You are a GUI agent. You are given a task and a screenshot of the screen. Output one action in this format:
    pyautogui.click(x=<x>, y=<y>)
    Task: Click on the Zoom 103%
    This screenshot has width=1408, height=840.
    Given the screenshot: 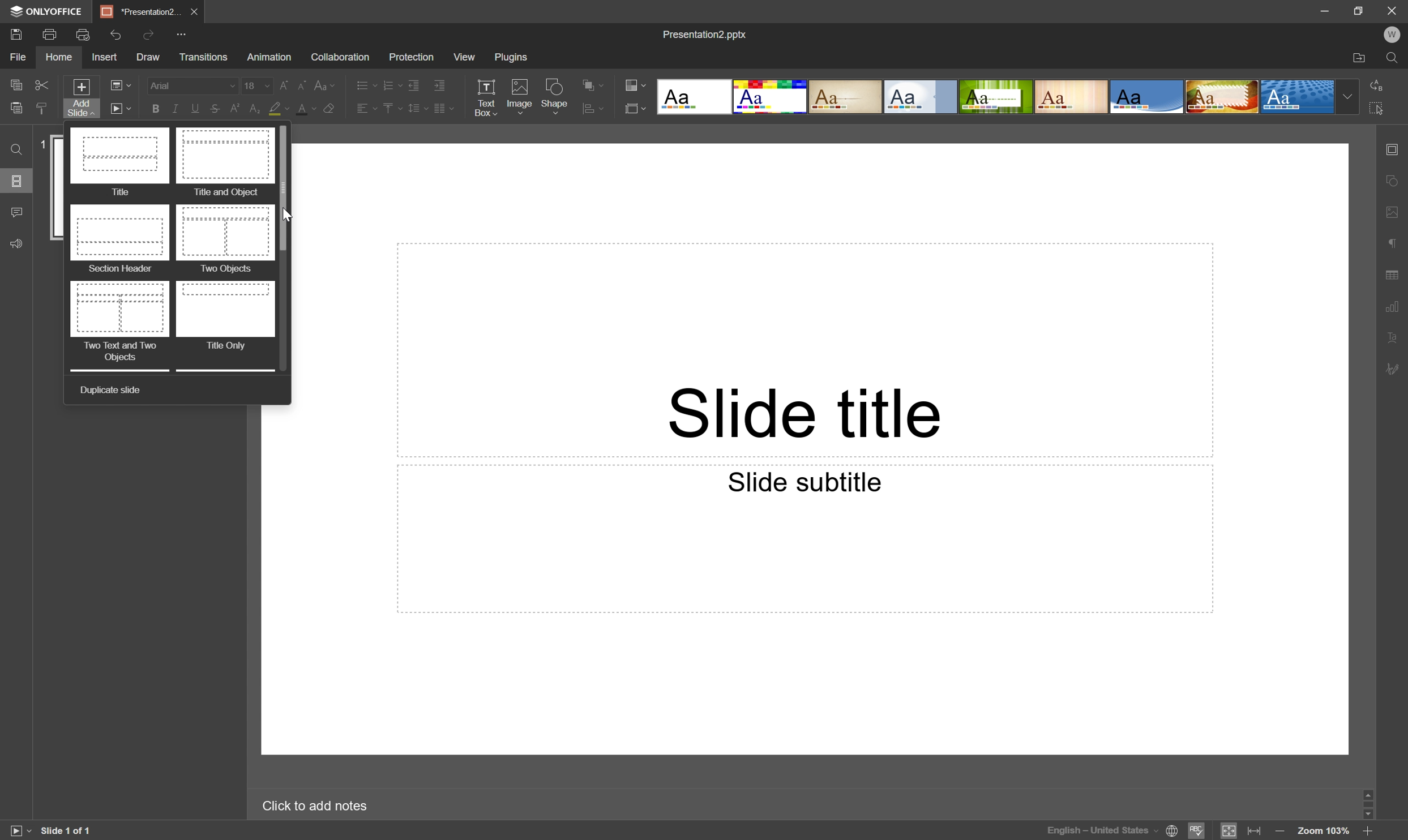 What is the action you would take?
    pyautogui.click(x=1324, y=832)
    